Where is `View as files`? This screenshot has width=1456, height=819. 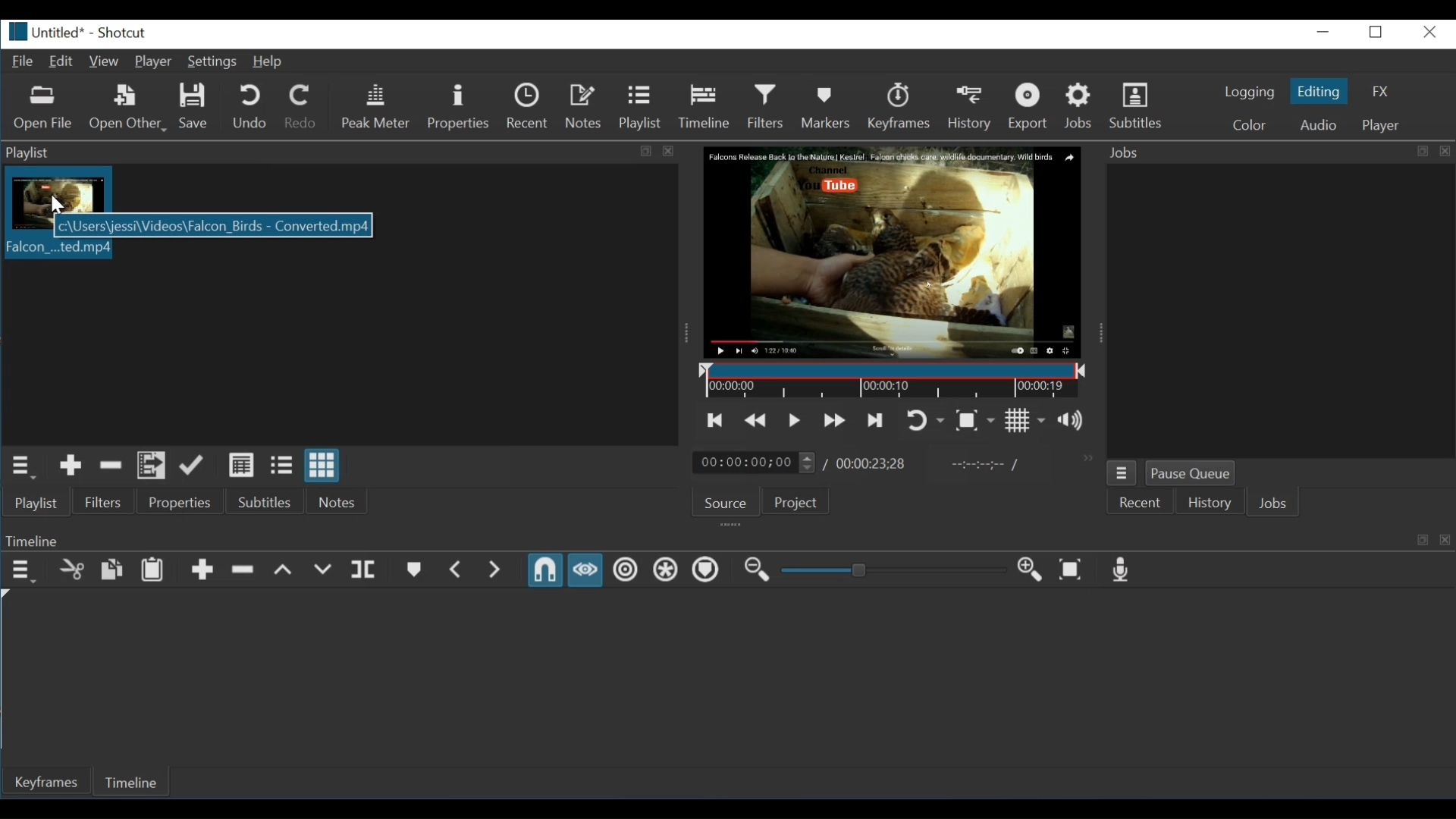
View as files is located at coordinates (281, 466).